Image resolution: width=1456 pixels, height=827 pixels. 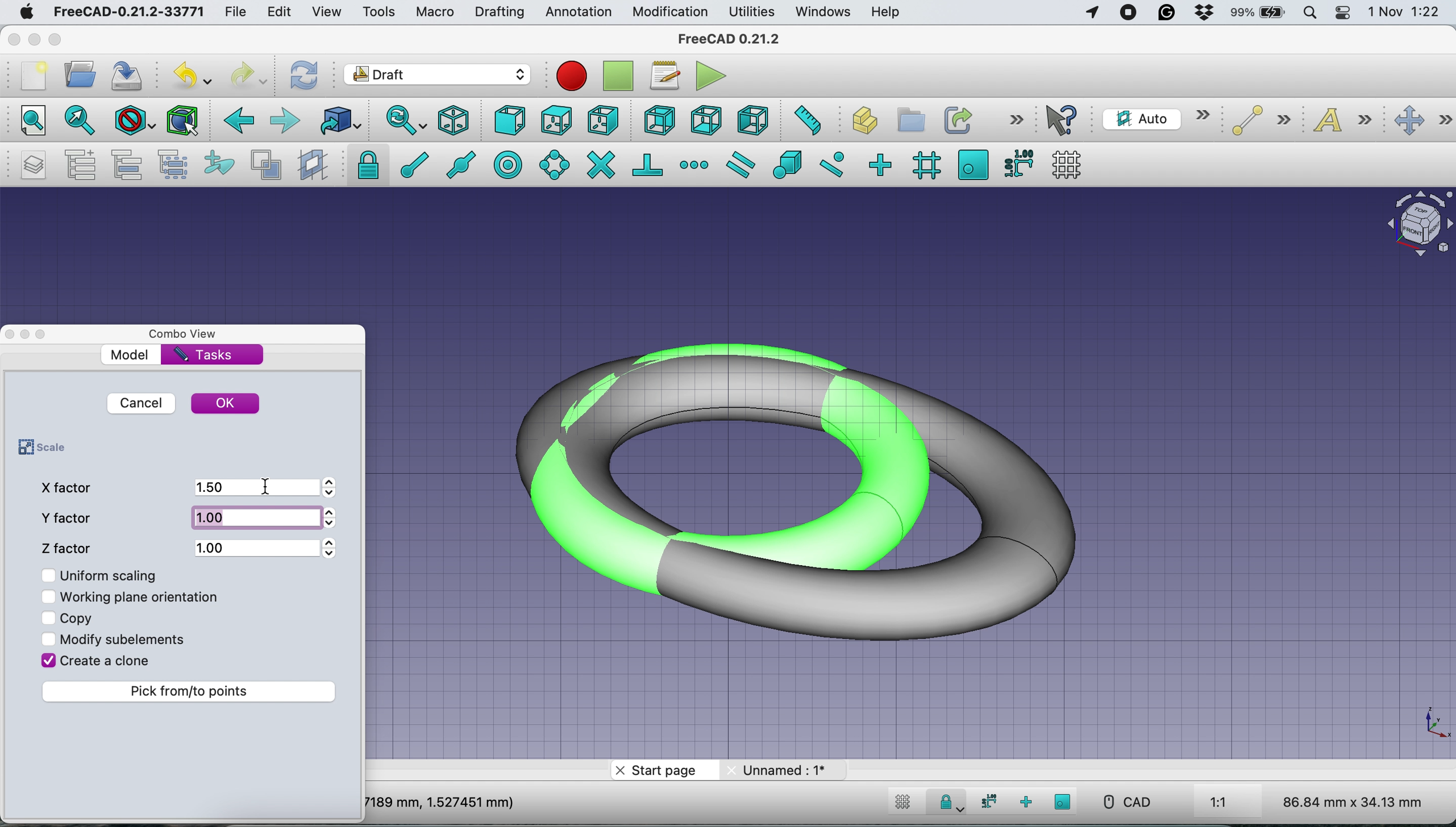 I want to click on scale, so click(x=39, y=448).